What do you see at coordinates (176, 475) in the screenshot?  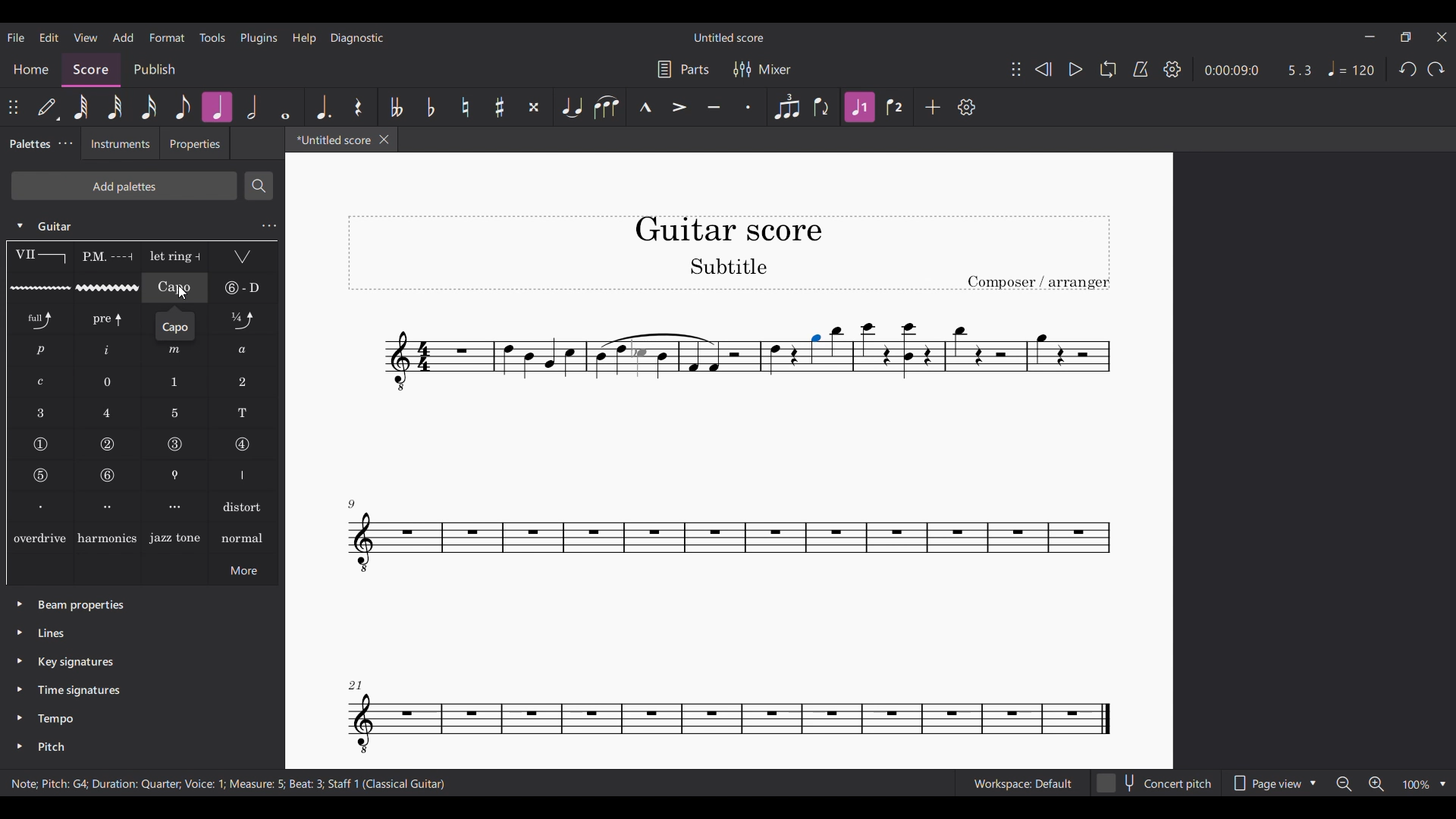 I see `Thumb position` at bounding box center [176, 475].